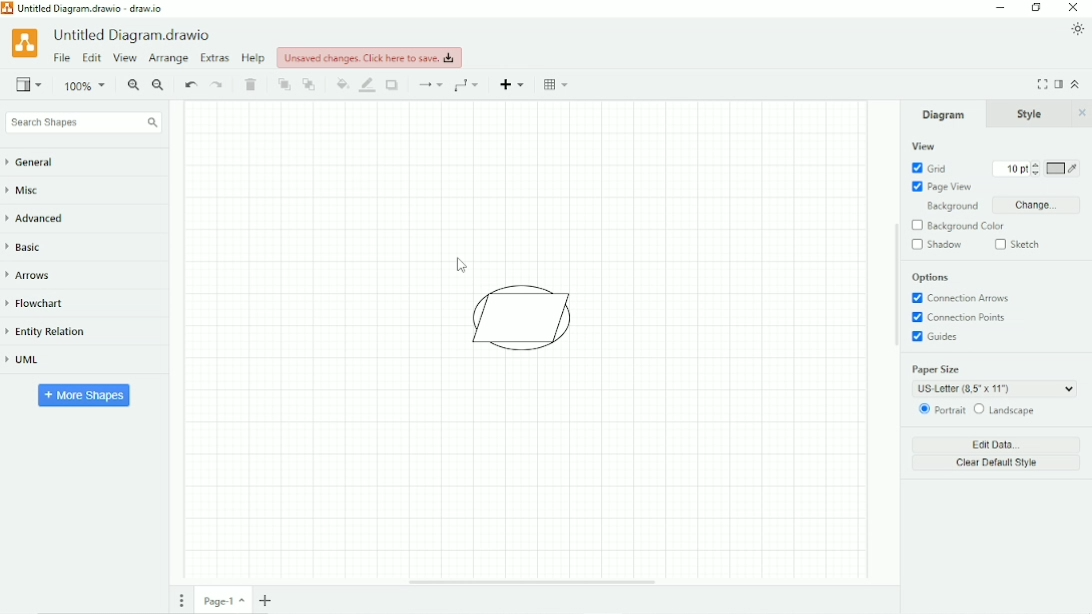 This screenshot has width=1092, height=614. Describe the element at coordinates (125, 59) in the screenshot. I see `View` at that location.